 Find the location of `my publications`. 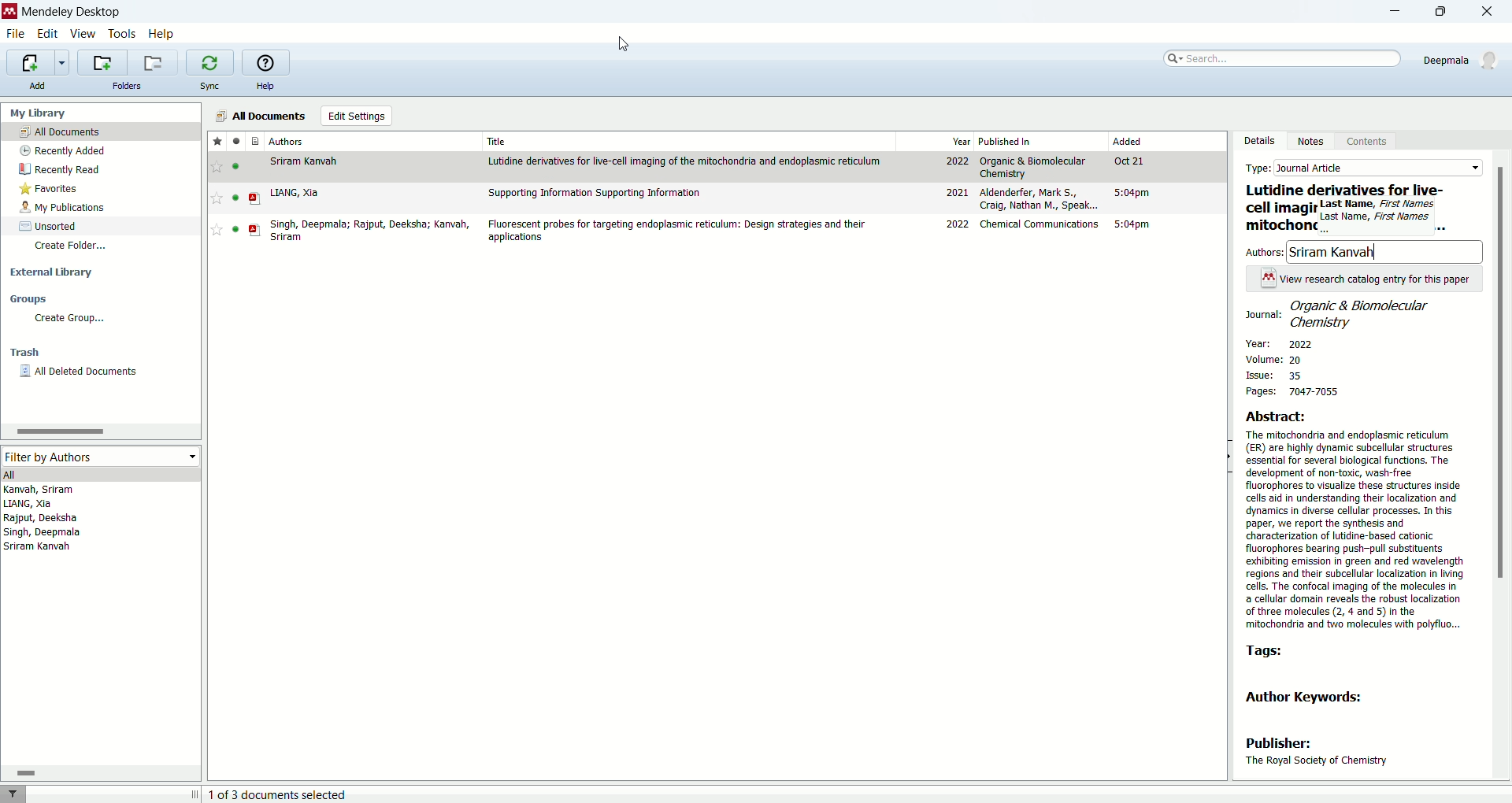

my publications is located at coordinates (61, 209).